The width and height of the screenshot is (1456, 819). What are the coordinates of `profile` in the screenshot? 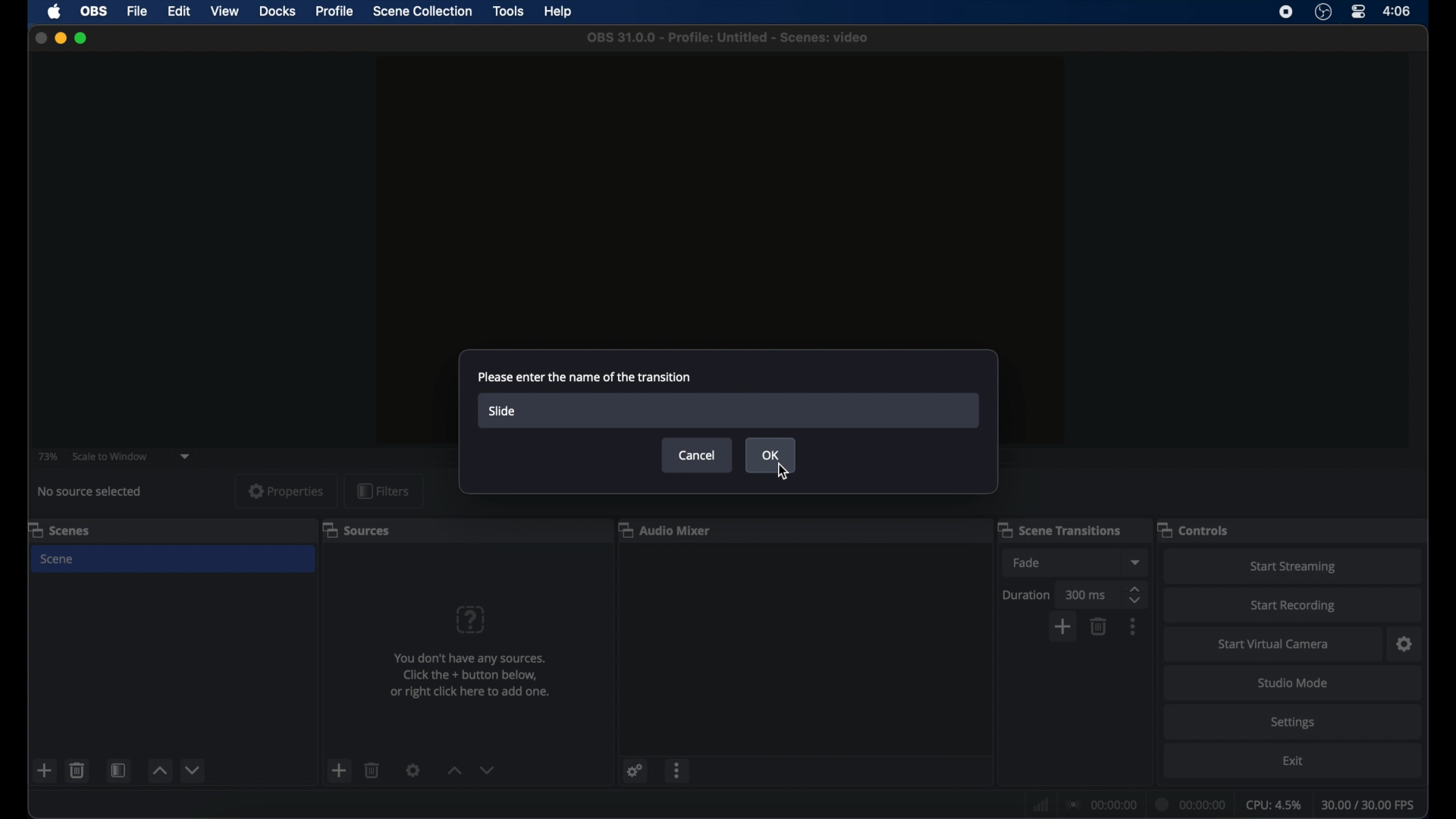 It's located at (336, 11).